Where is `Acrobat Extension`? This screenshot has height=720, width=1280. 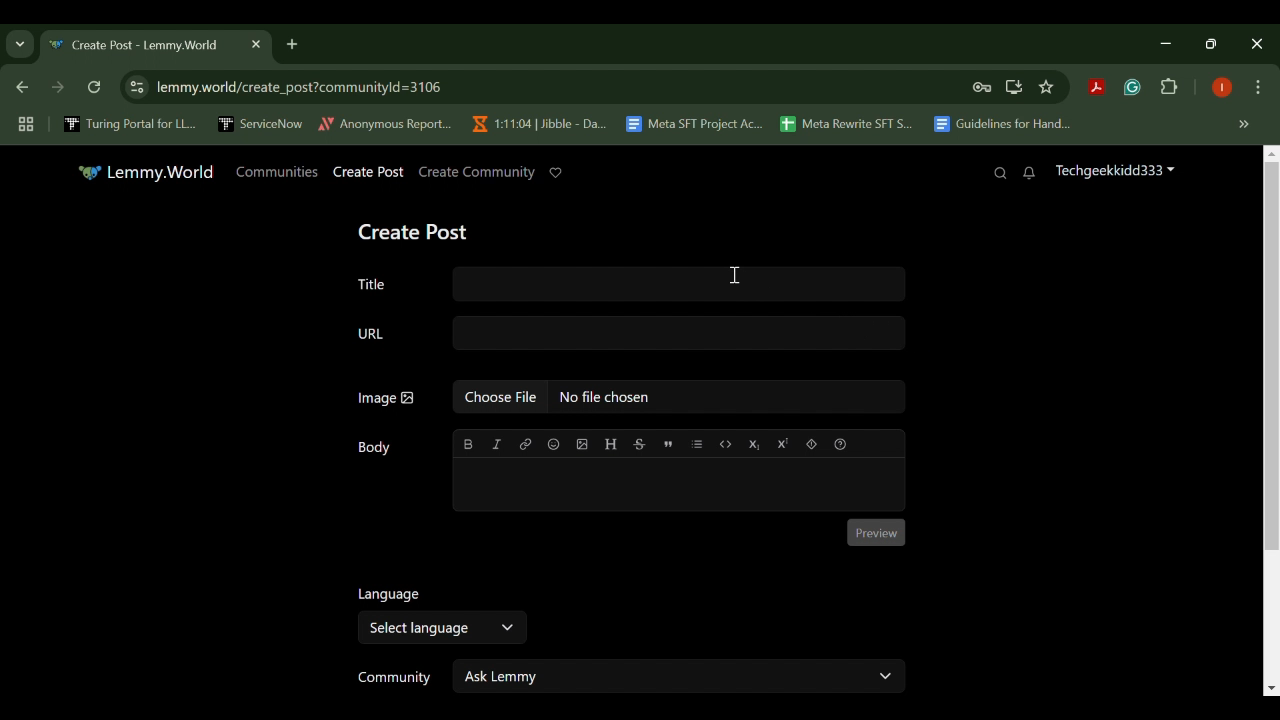 Acrobat Extension is located at coordinates (1096, 88).